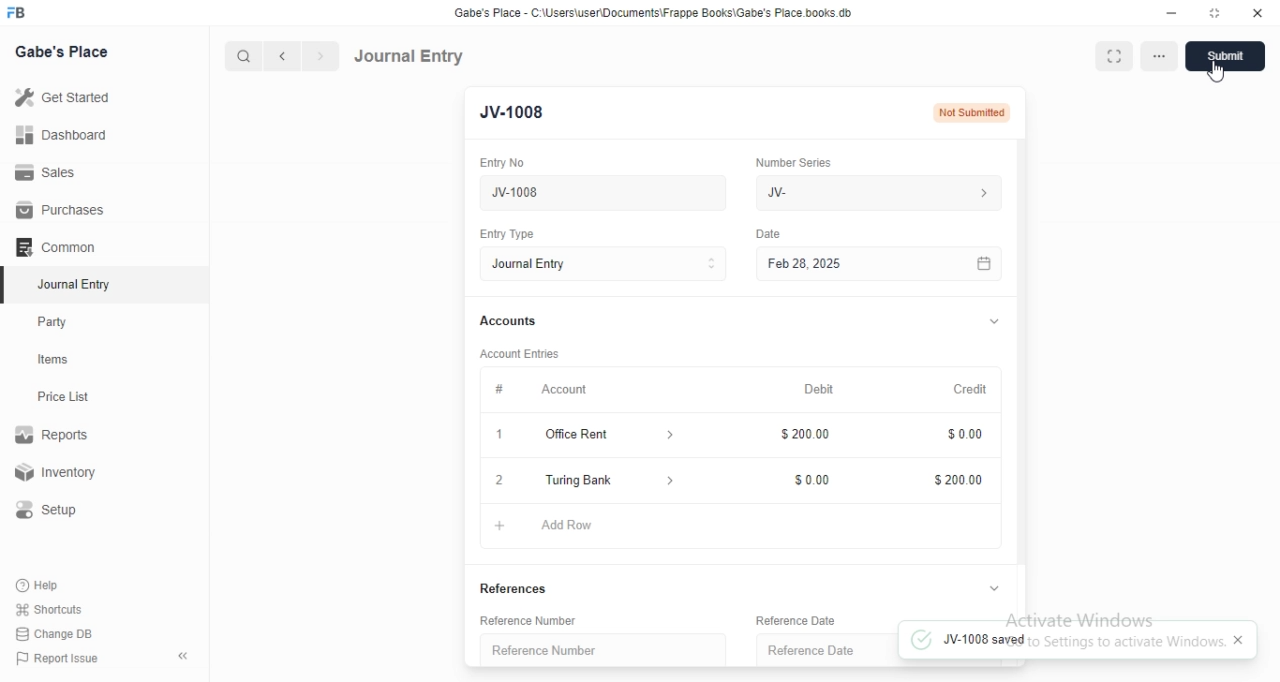 This screenshot has height=682, width=1280. What do you see at coordinates (61, 360) in the screenshot?
I see `tems` at bounding box center [61, 360].